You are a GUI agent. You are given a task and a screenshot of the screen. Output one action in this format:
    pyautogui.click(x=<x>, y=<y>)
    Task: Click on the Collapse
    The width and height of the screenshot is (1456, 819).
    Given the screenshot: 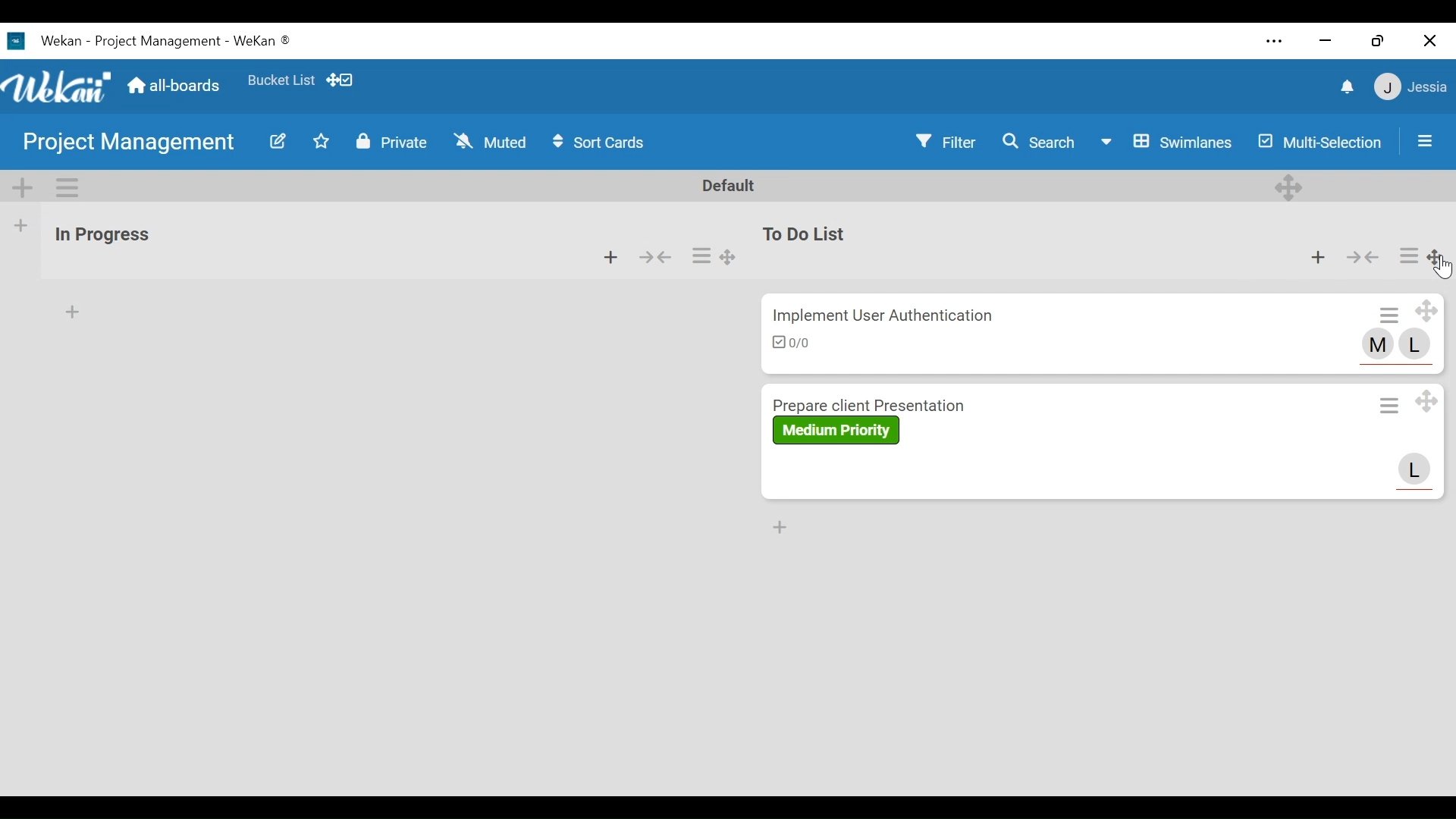 What is the action you would take?
    pyautogui.click(x=1364, y=257)
    